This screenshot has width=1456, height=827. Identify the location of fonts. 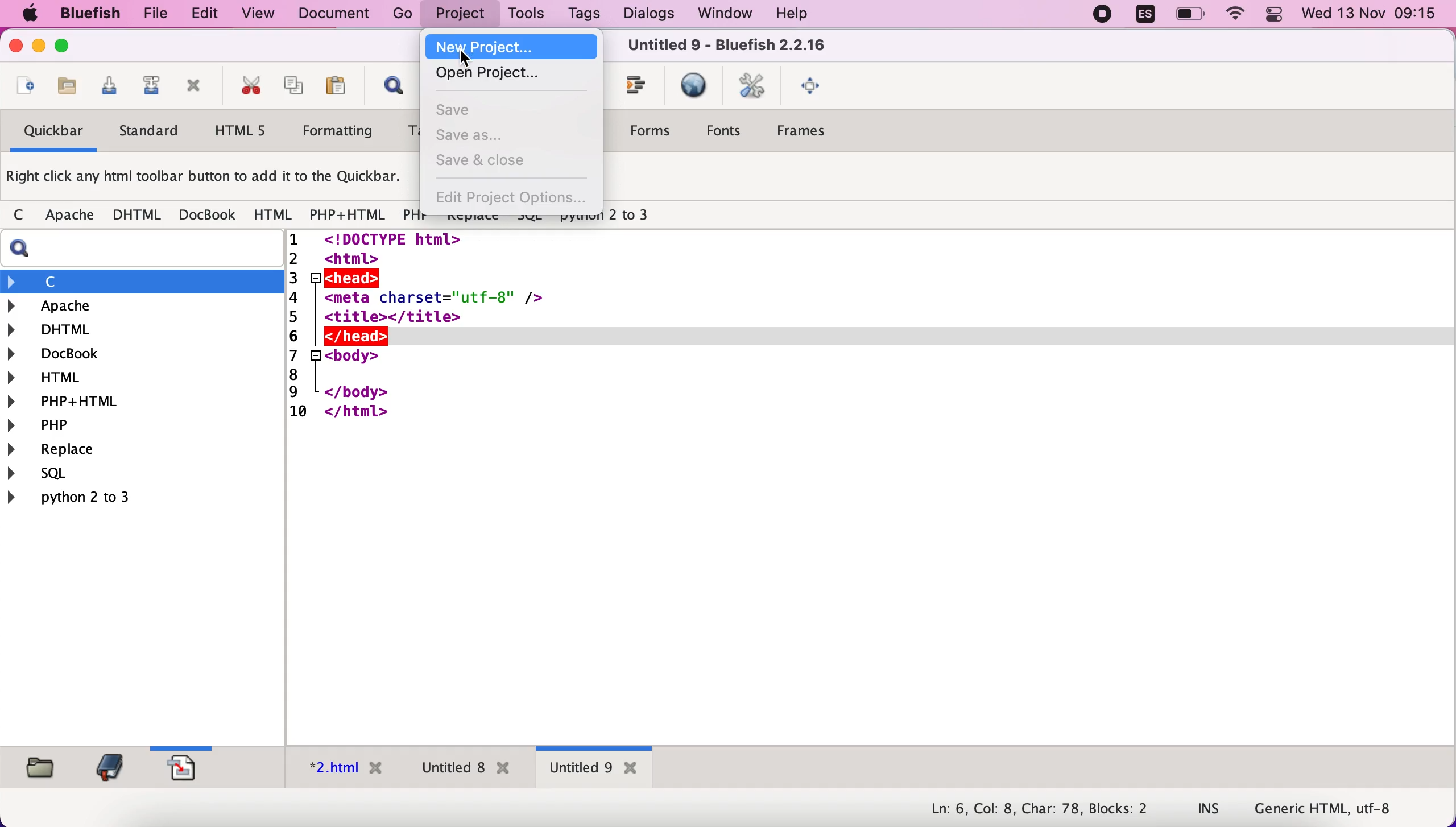
(729, 130).